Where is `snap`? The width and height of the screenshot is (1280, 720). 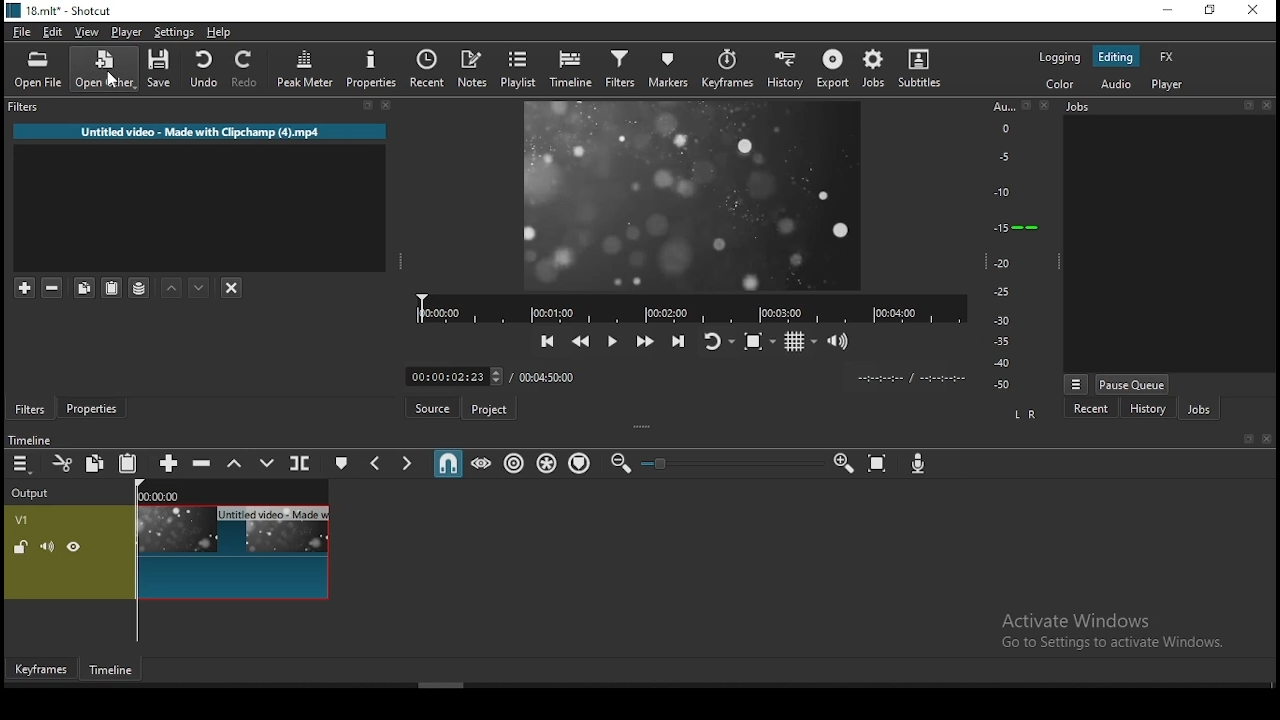
snap is located at coordinates (451, 466).